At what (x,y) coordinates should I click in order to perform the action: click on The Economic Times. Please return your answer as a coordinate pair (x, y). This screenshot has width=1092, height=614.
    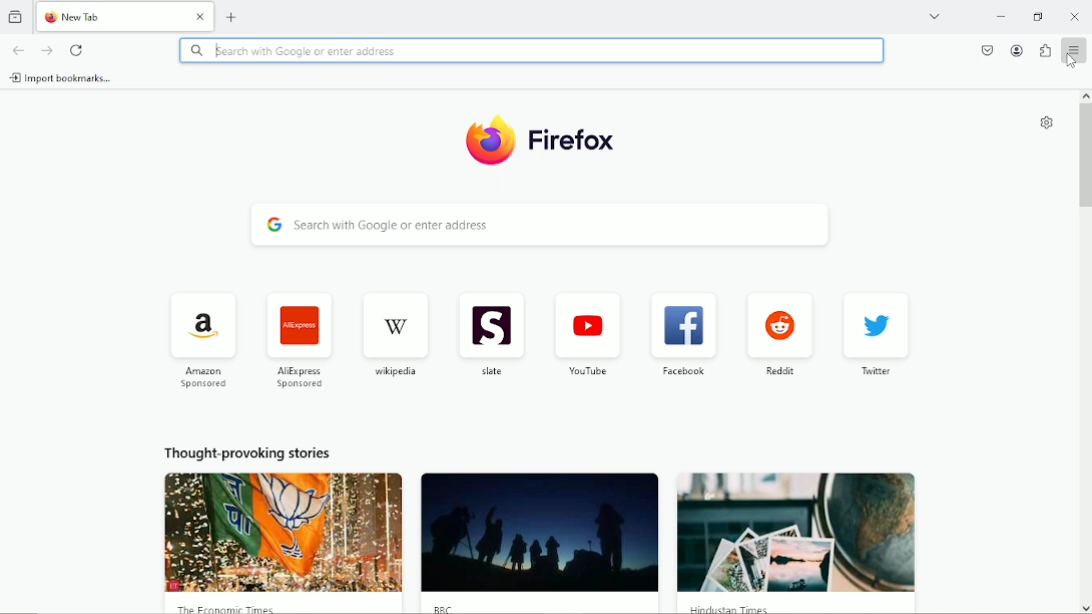
    Looking at the image, I should click on (285, 543).